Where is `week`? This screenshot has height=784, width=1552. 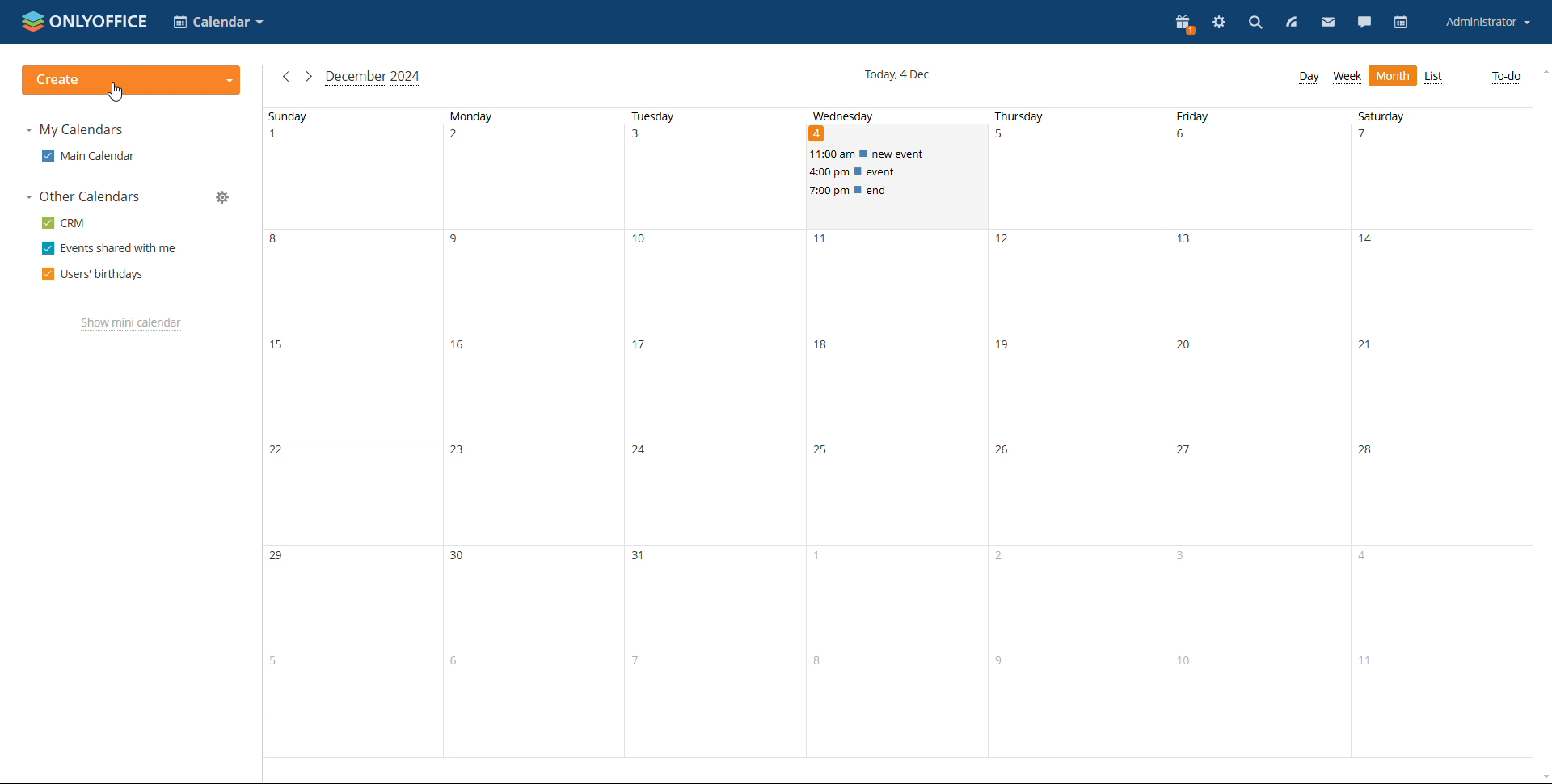 week is located at coordinates (1347, 78).